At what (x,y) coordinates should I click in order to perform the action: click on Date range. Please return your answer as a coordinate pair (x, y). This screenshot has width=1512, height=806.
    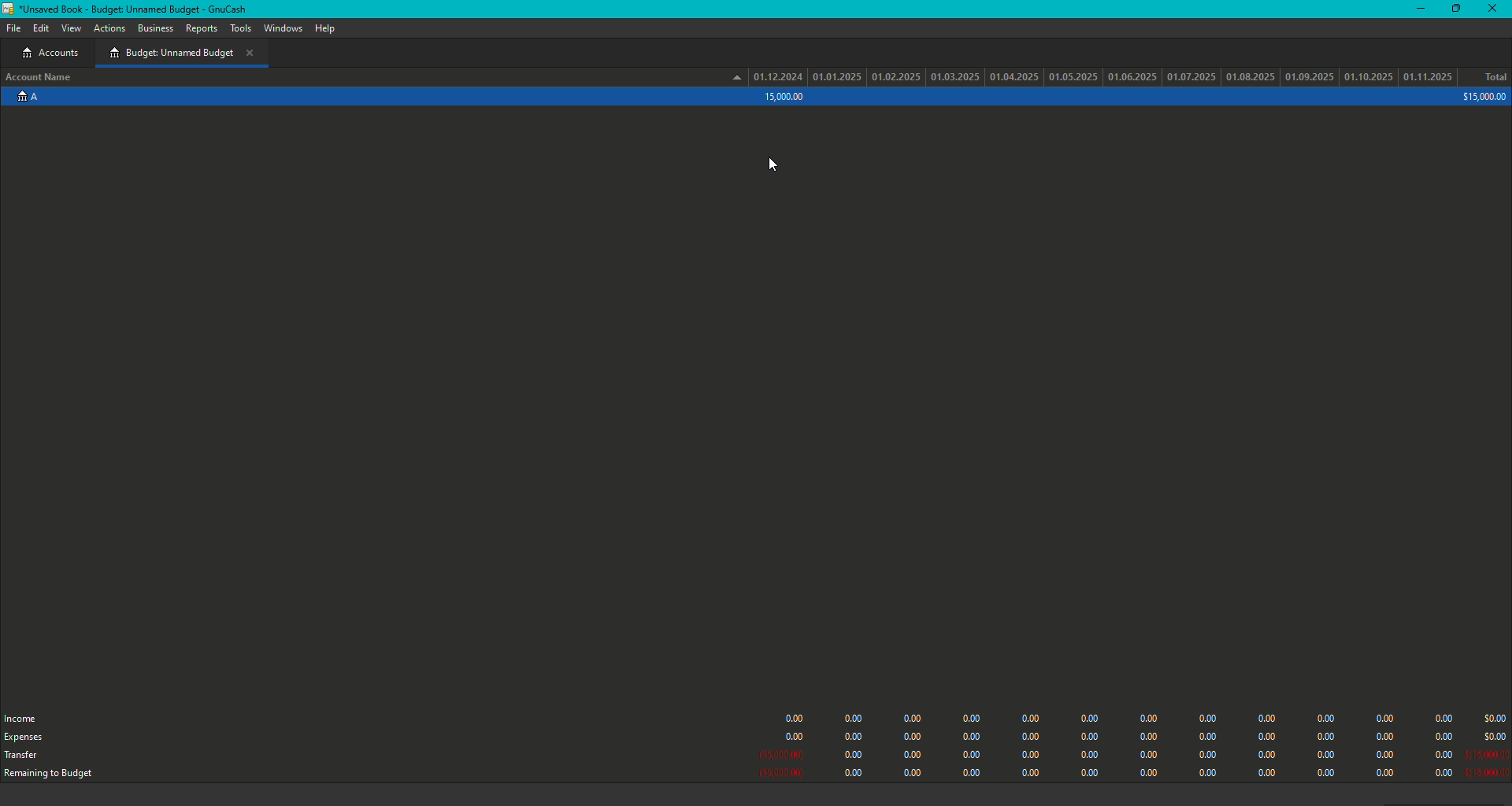
    Looking at the image, I should click on (1102, 76).